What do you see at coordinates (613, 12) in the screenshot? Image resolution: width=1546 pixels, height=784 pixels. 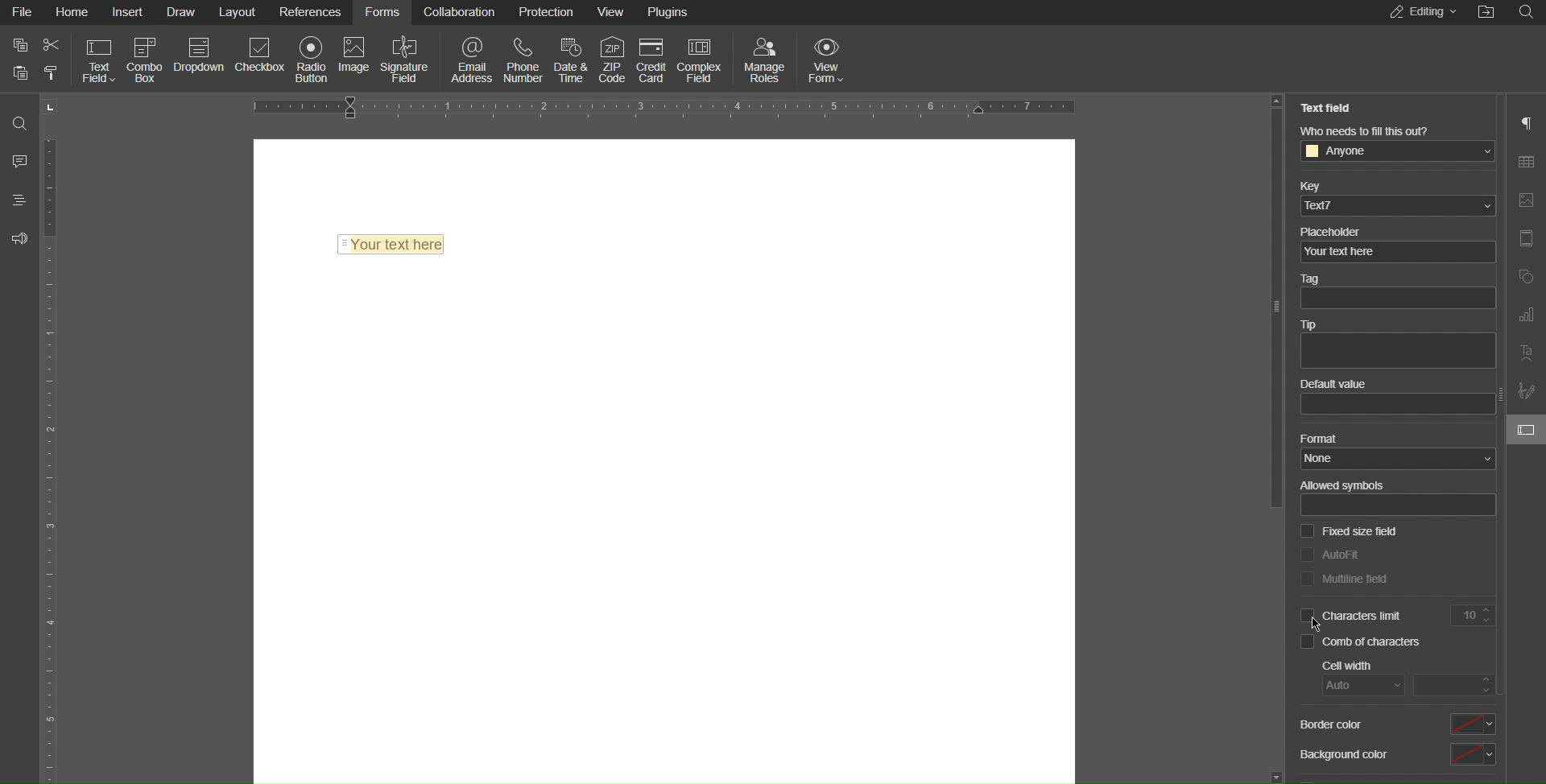 I see `view` at bounding box center [613, 12].